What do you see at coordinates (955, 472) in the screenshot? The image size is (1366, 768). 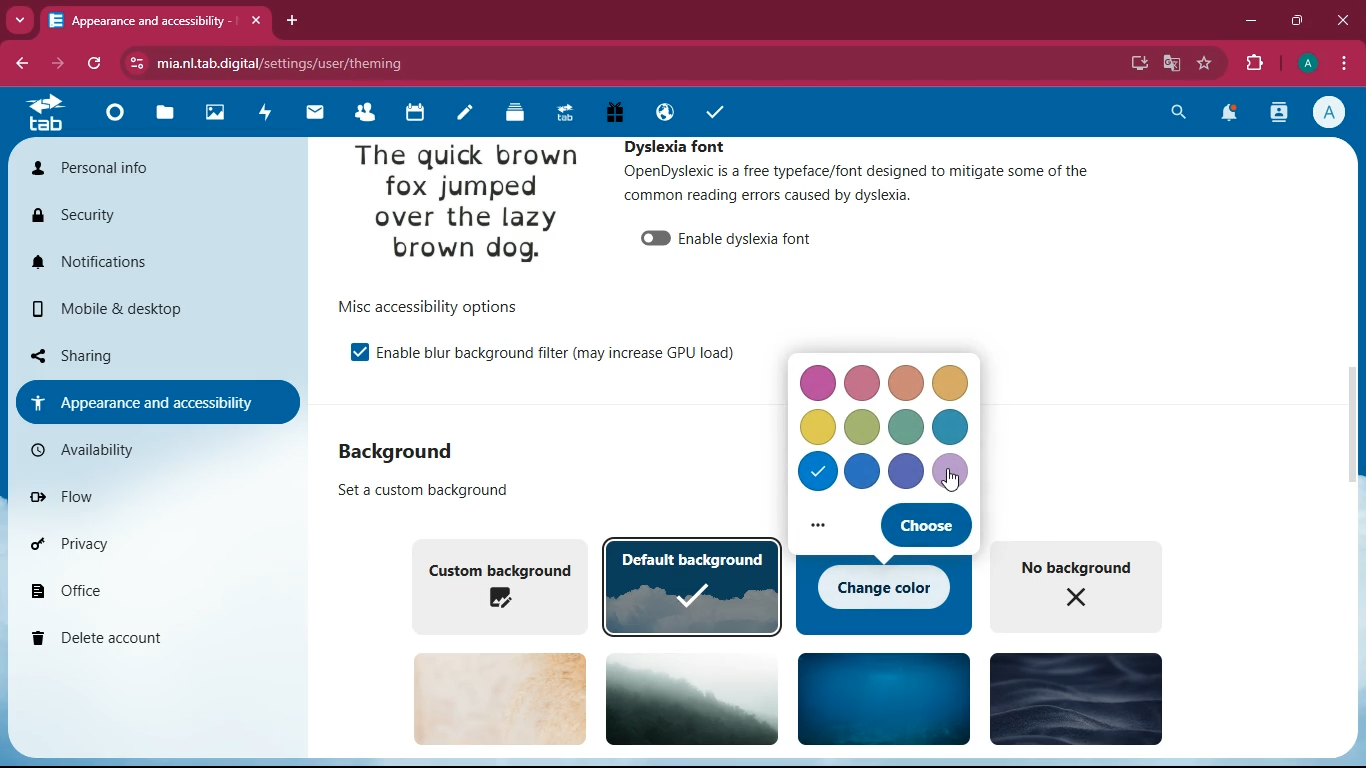 I see `color` at bounding box center [955, 472].